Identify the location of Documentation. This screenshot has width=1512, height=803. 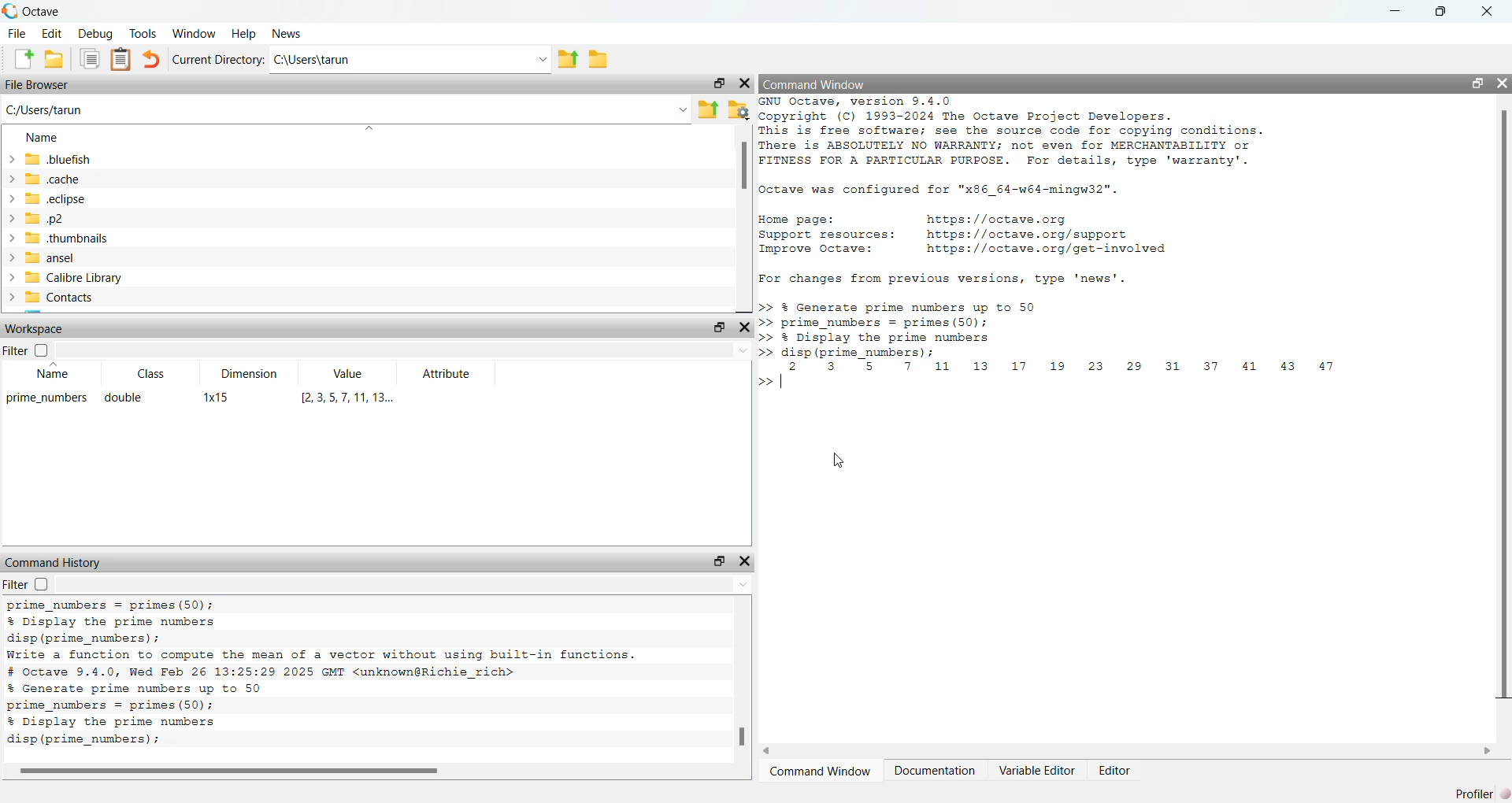
(937, 771).